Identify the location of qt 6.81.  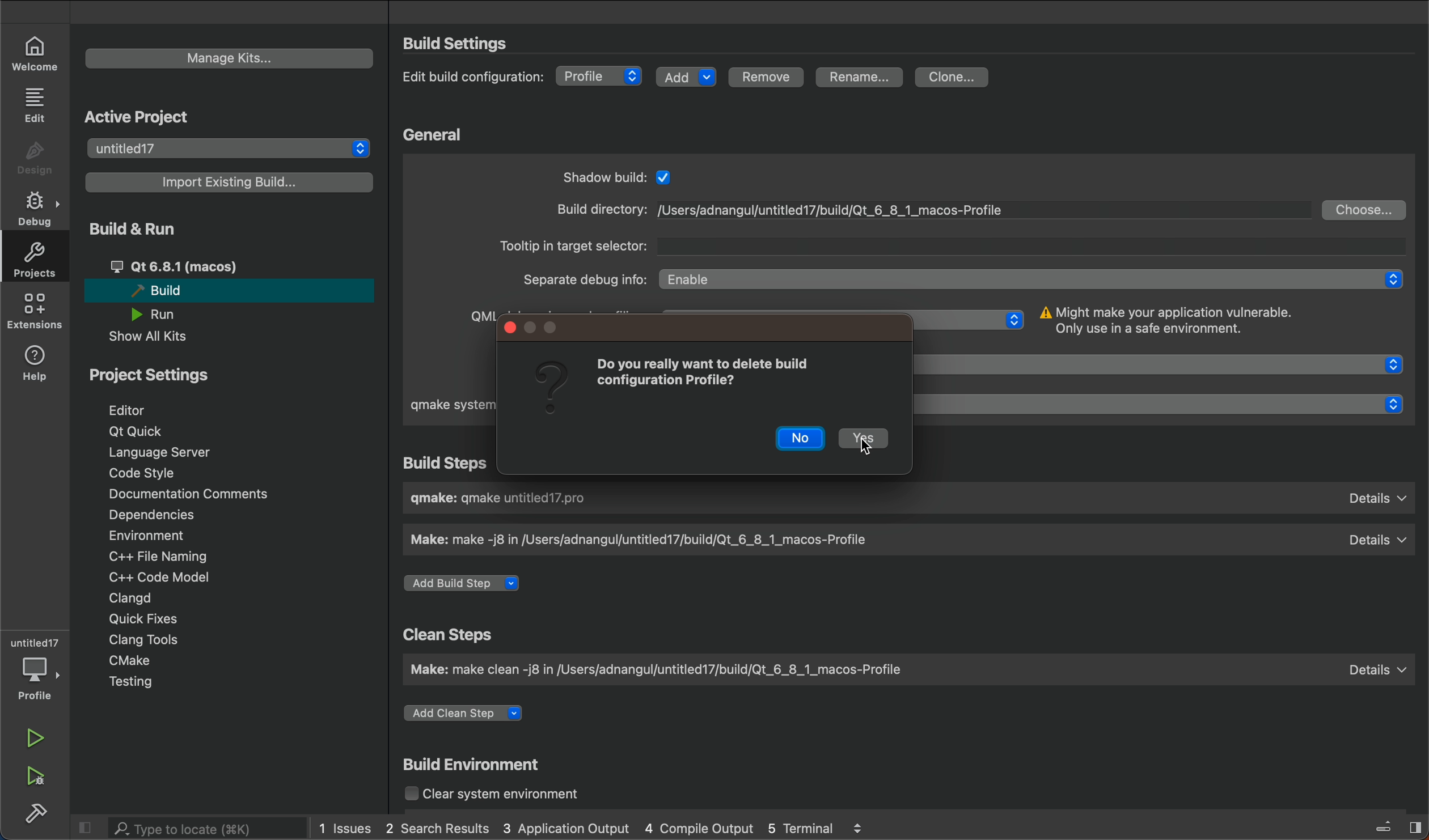
(203, 266).